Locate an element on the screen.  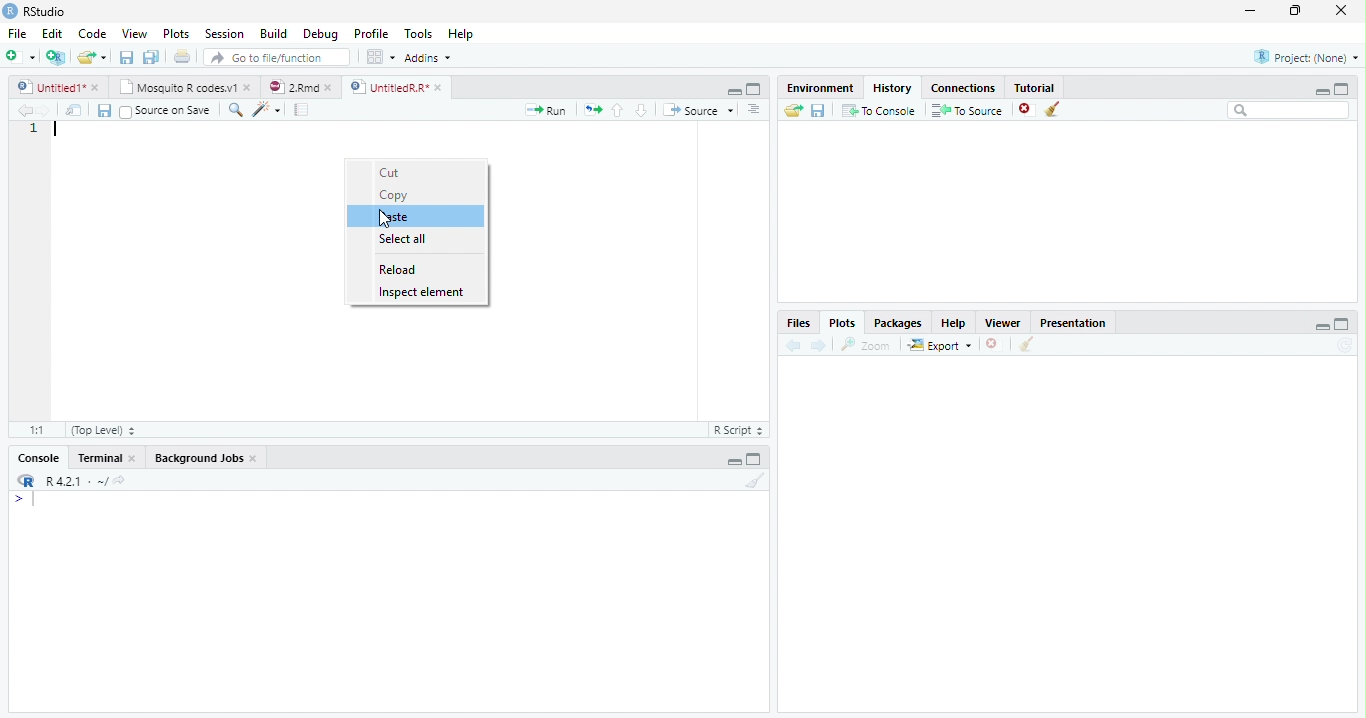
Compile Report is located at coordinates (303, 109).